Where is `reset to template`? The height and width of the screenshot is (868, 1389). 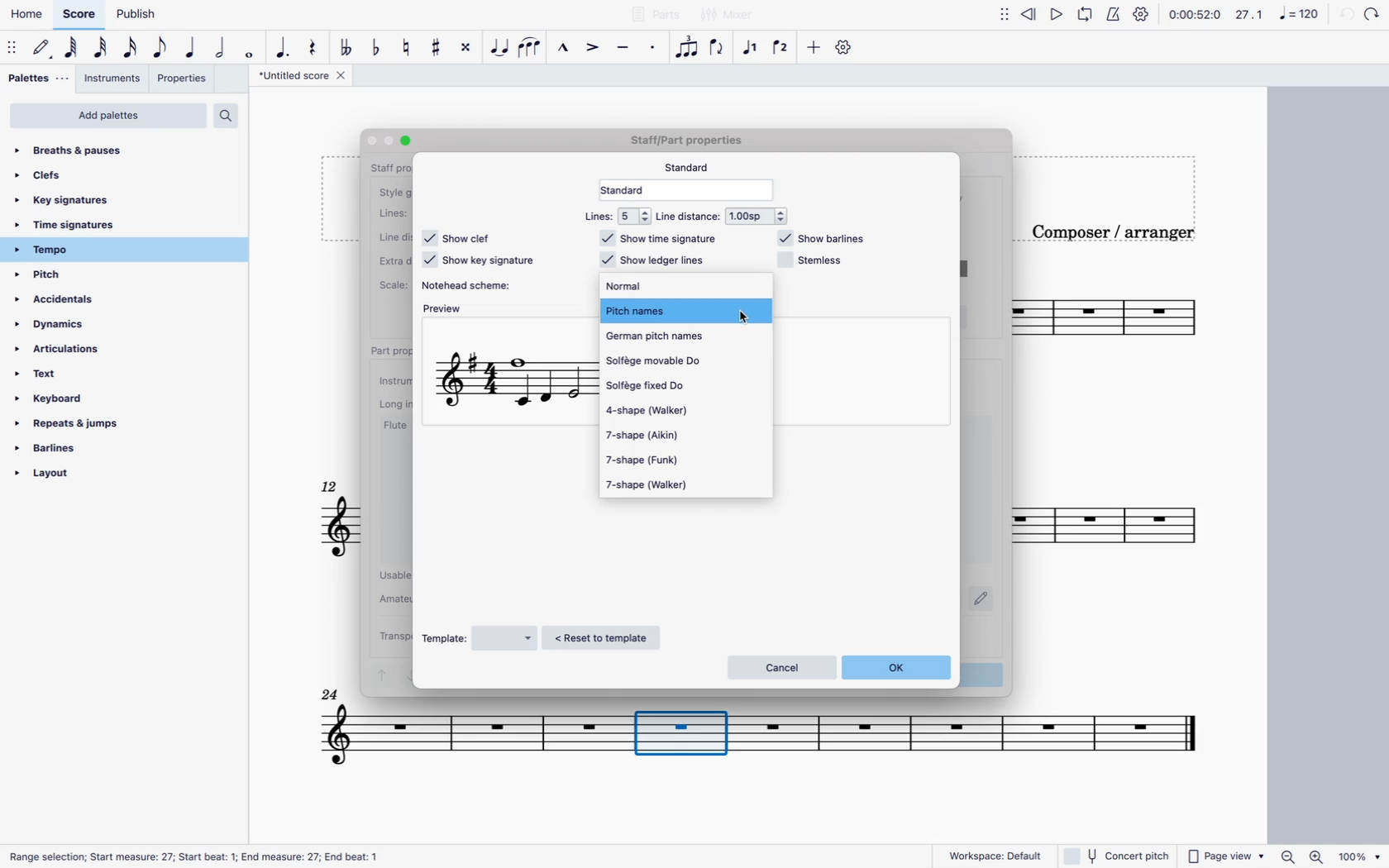
reset to template is located at coordinates (607, 638).